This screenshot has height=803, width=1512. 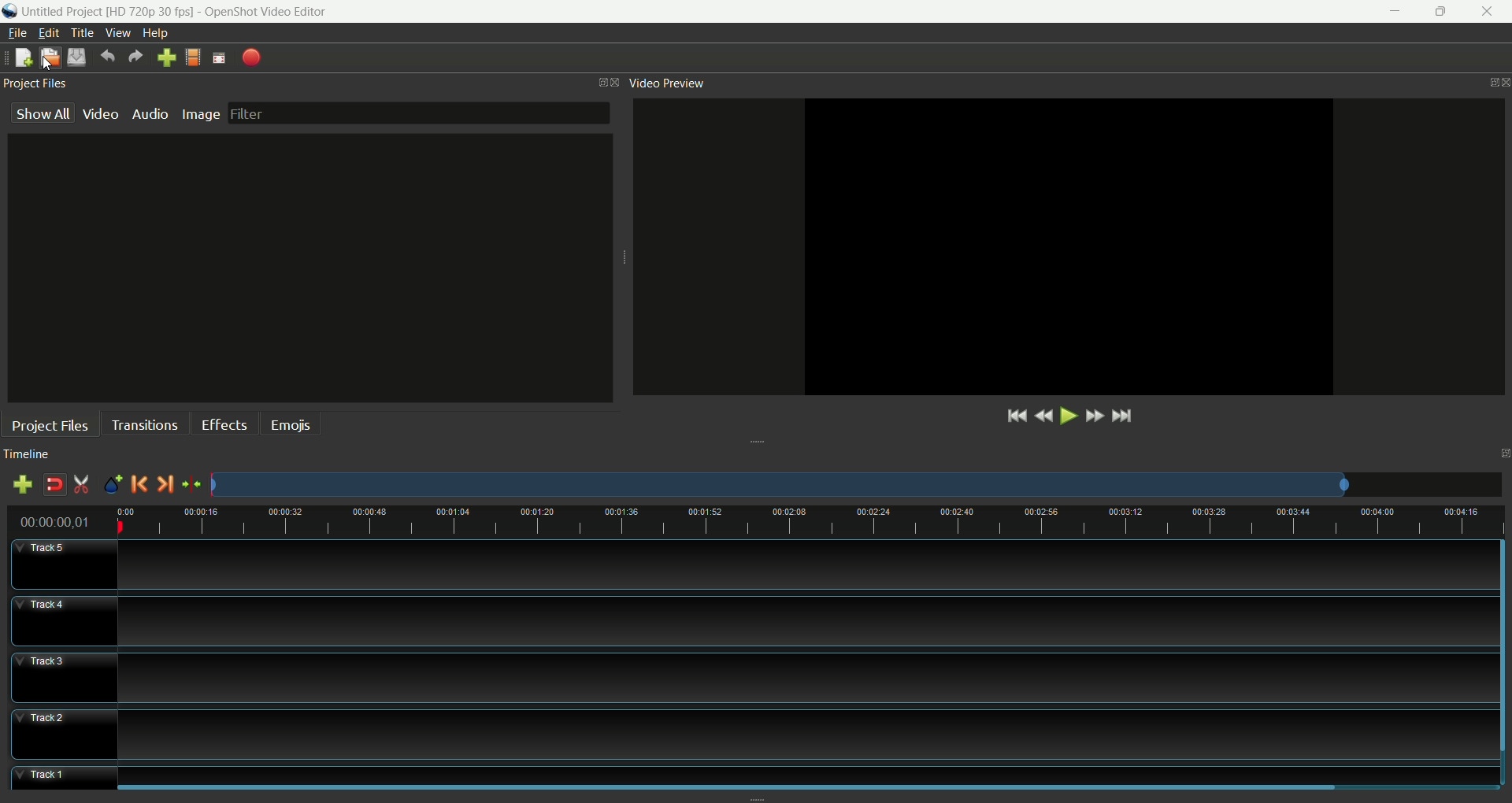 What do you see at coordinates (150, 114) in the screenshot?
I see `audio` at bounding box center [150, 114].